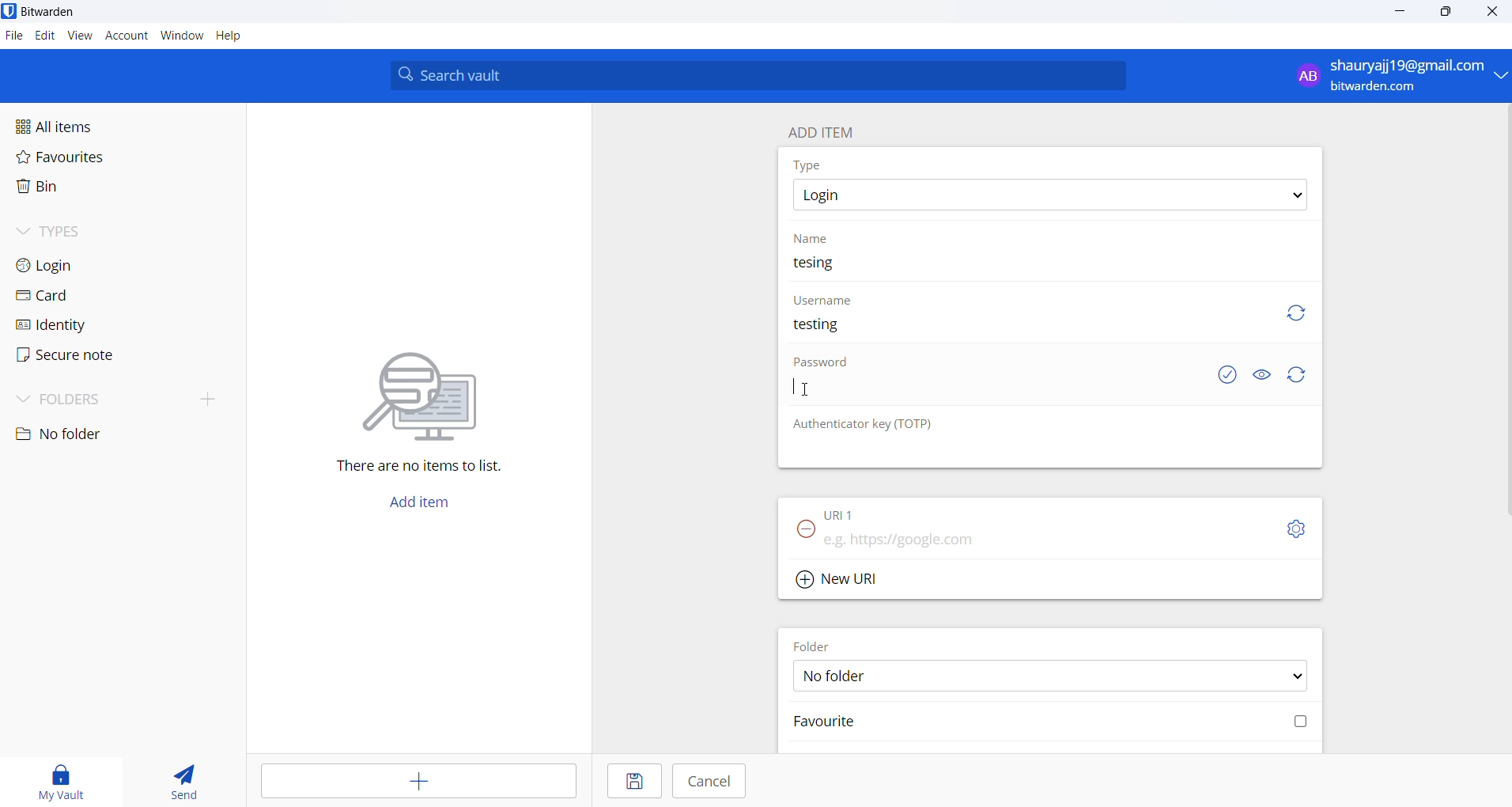 Image resolution: width=1512 pixels, height=807 pixels. I want to click on Cancel, so click(710, 781).